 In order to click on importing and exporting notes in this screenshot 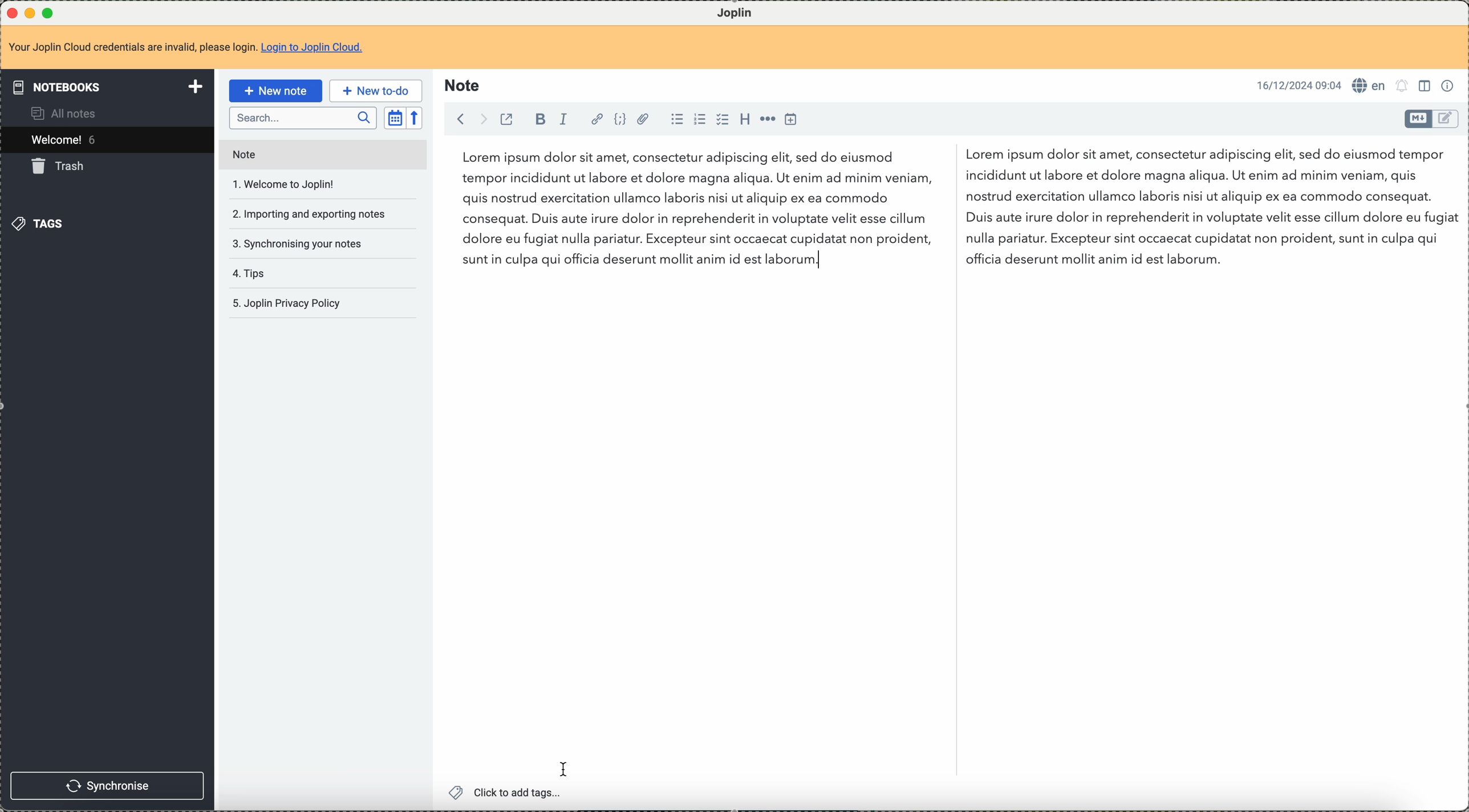, I will do `click(312, 215)`.